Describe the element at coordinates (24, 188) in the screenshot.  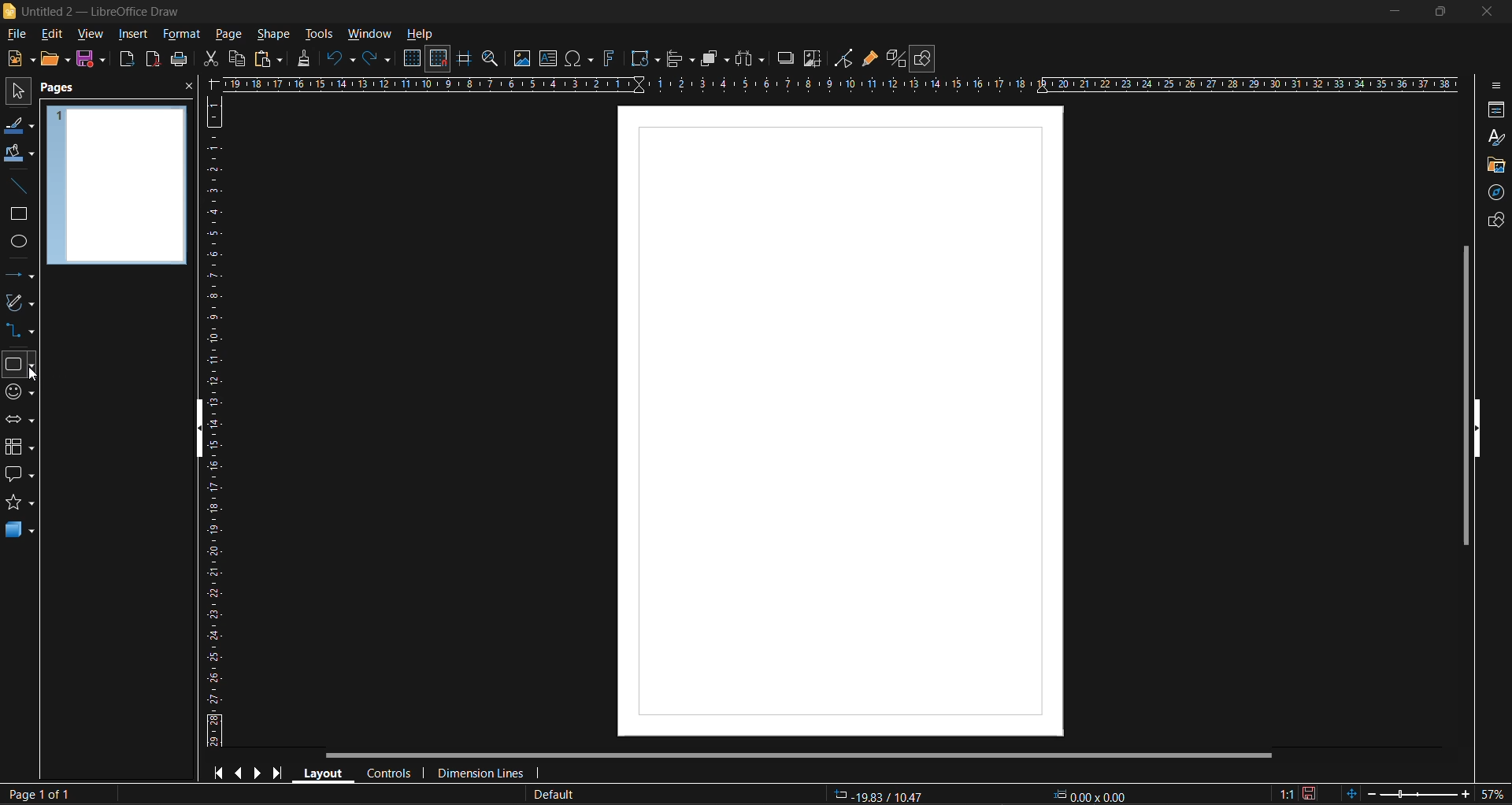
I see `insert line` at that location.